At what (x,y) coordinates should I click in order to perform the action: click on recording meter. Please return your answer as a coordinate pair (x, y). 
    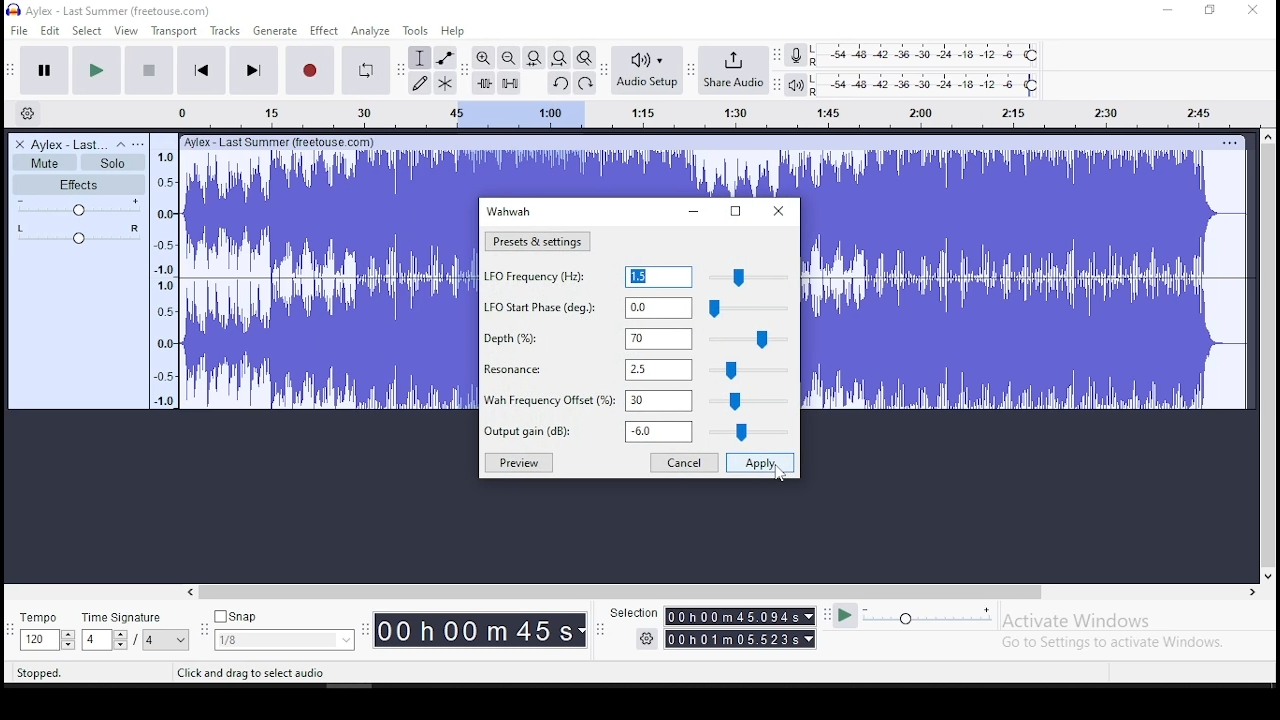
    Looking at the image, I should click on (796, 54).